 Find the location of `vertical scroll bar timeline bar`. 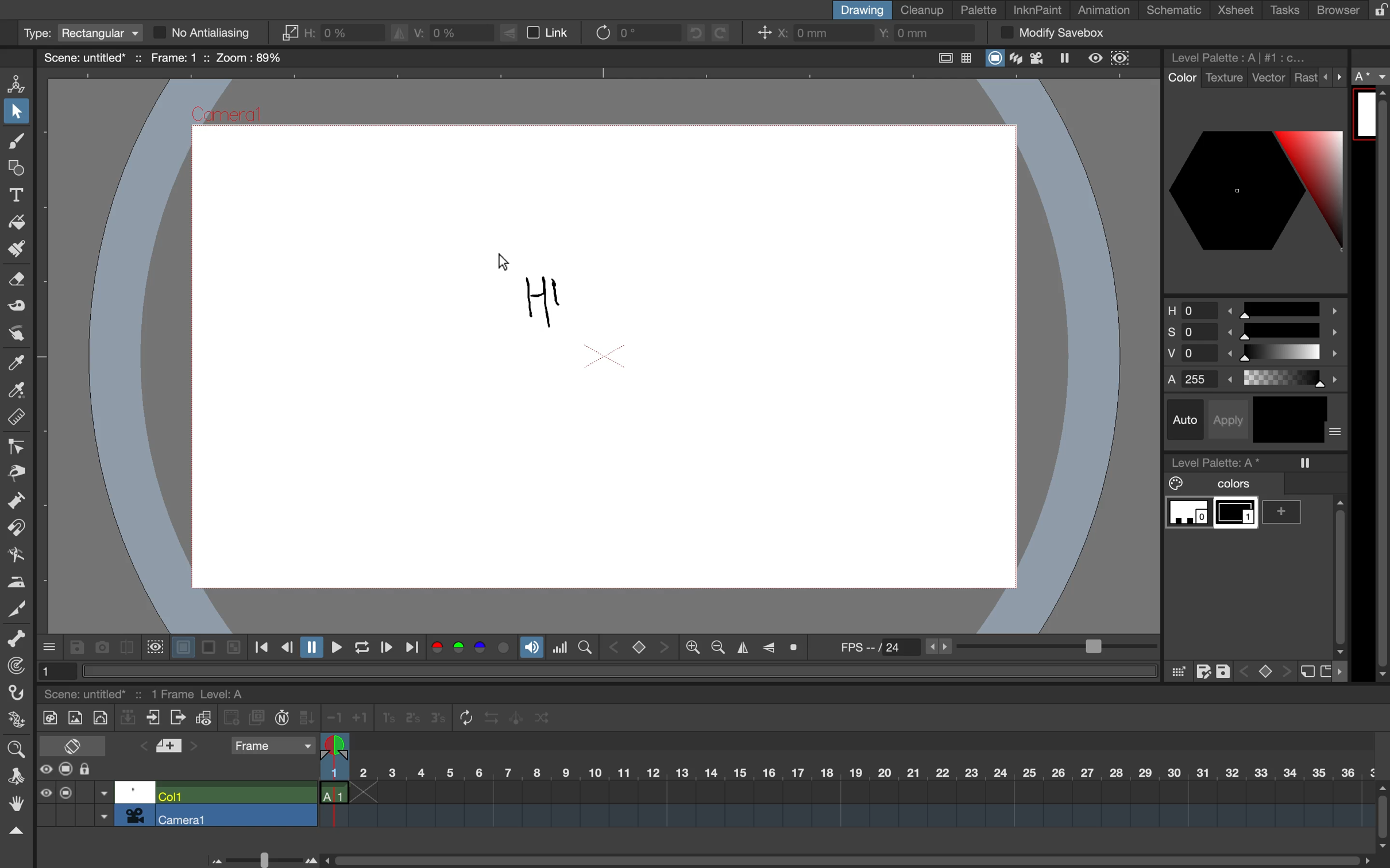

vertical scroll bar timeline bar is located at coordinates (1381, 815).